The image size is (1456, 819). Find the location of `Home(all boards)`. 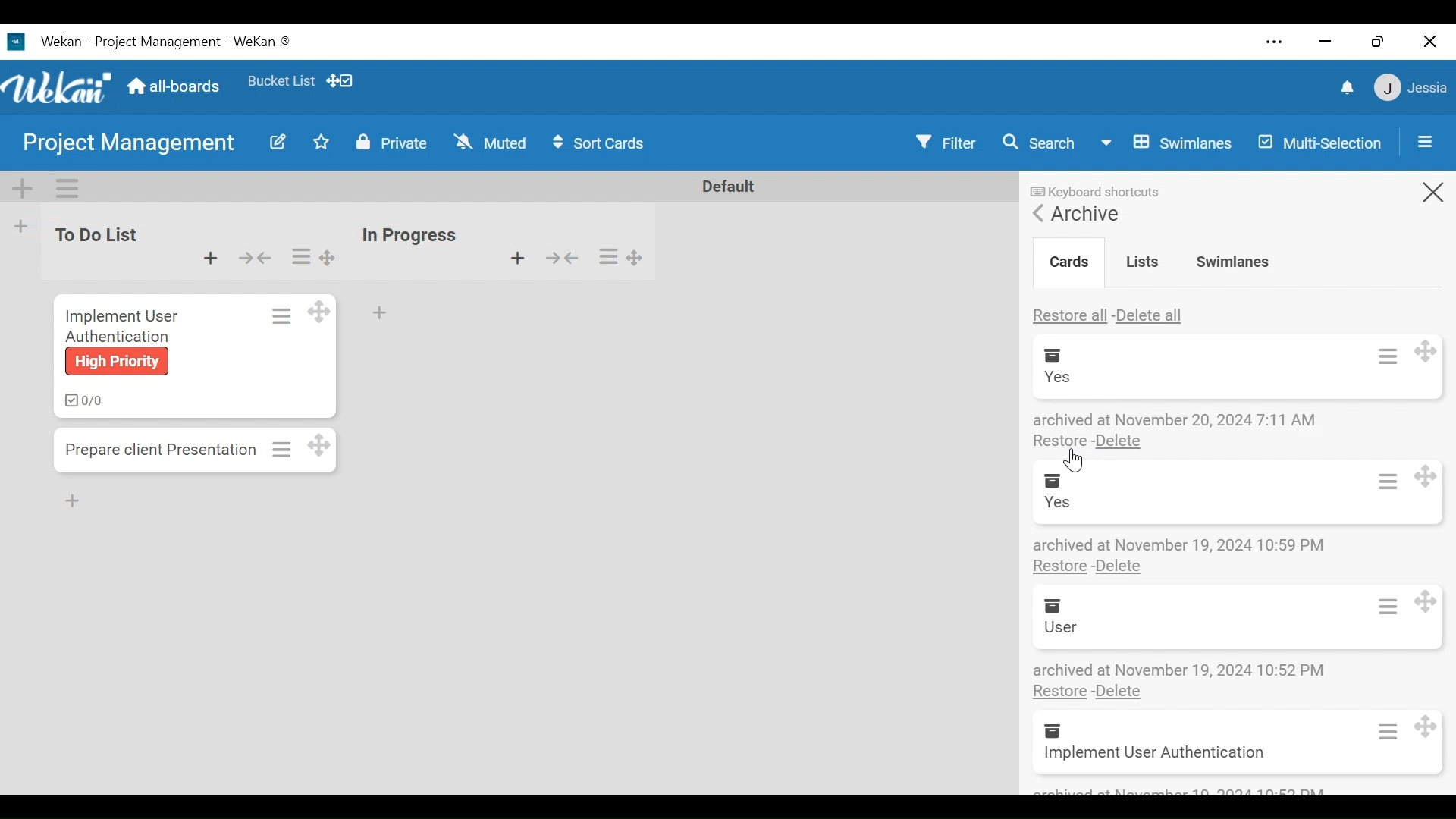

Home(all boards) is located at coordinates (175, 82).